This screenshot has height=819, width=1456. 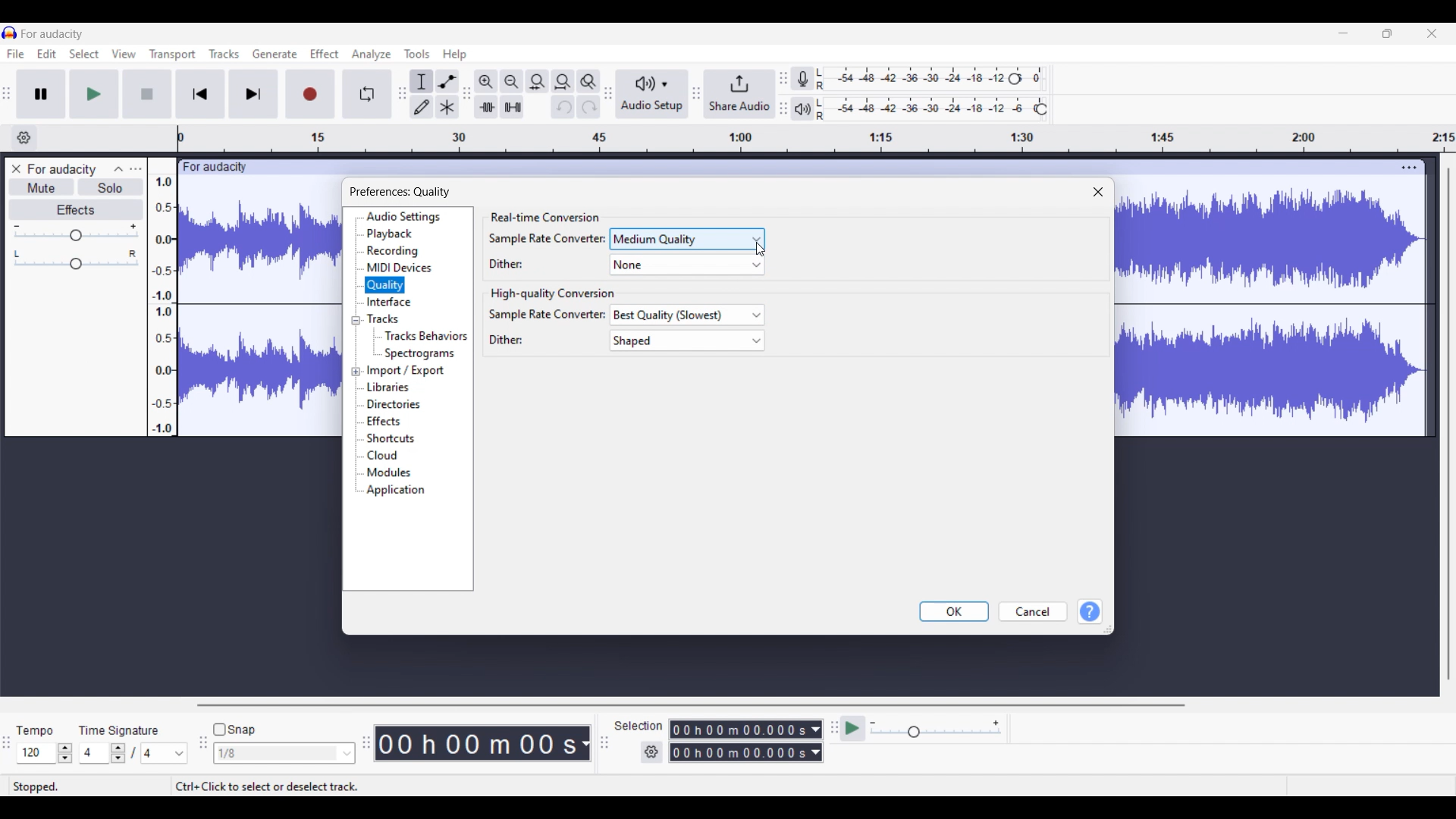 I want to click on Max time signature options, so click(x=165, y=753).